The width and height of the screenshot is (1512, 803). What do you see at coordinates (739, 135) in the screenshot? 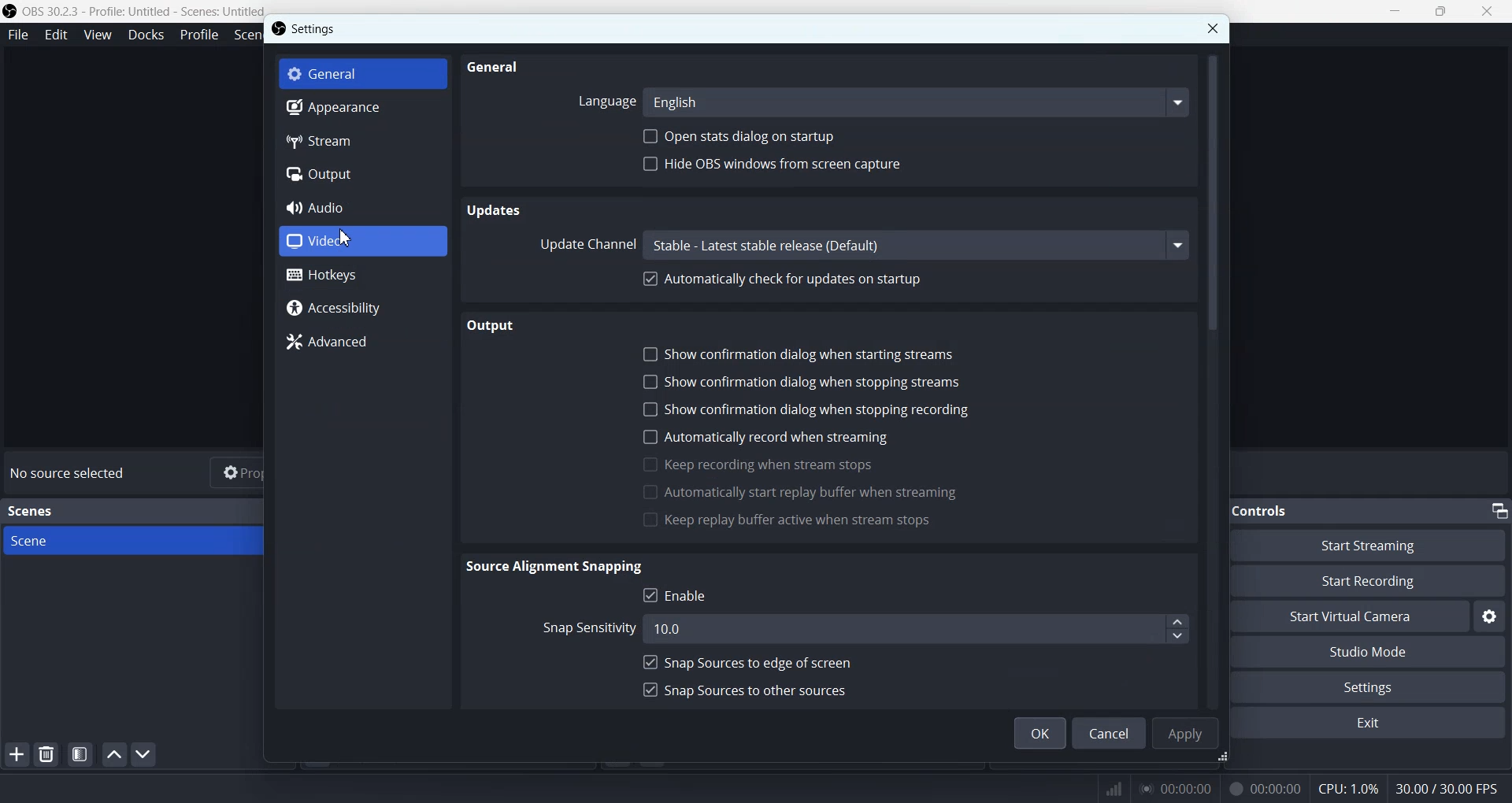
I see `Open stats dialog on startup` at bounding box center [739, 135].